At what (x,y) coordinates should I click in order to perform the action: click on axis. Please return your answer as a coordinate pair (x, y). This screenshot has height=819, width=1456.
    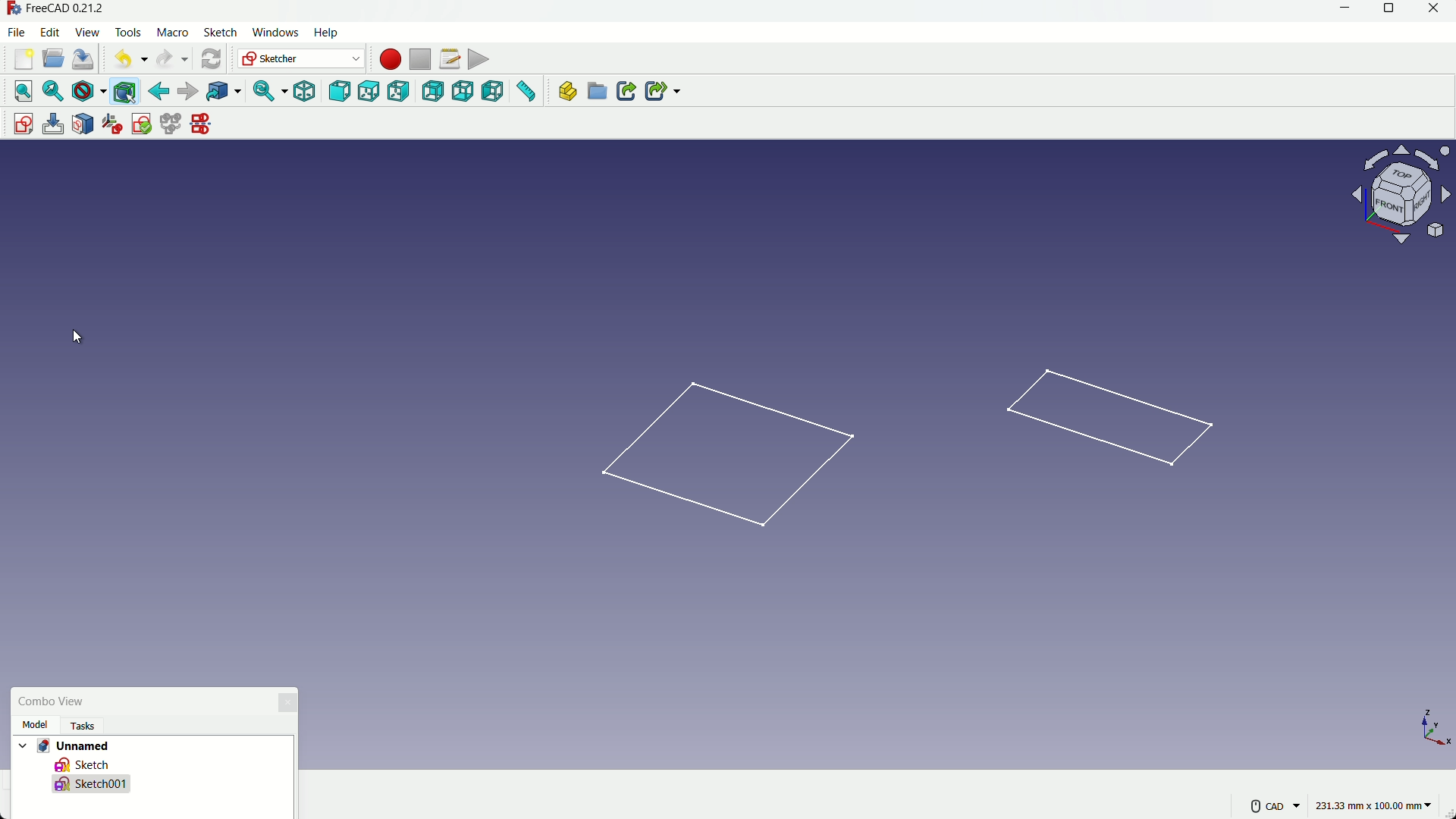
    Looking at the image, I should click on (1432, 730).